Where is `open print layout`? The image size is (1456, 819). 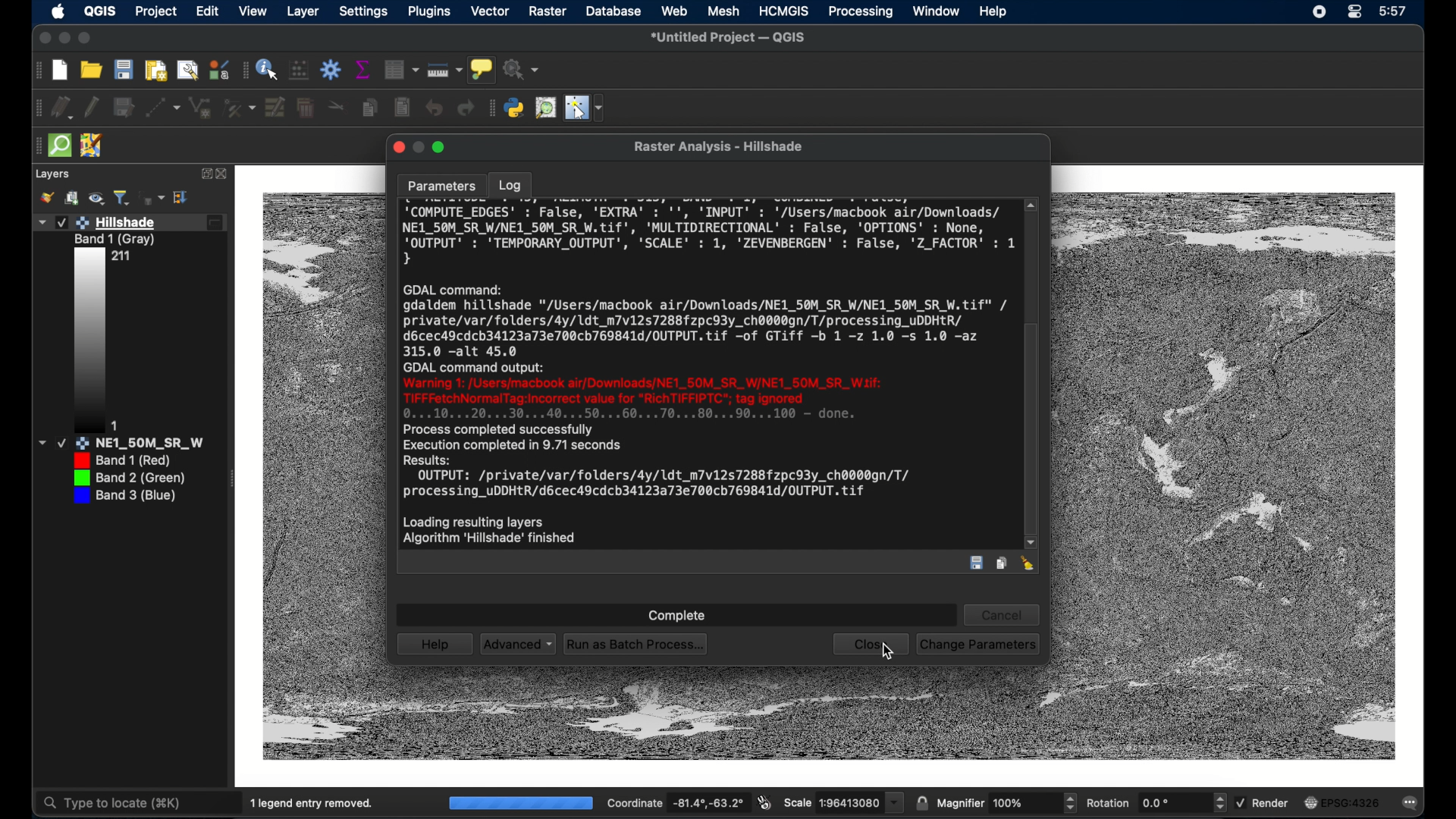 open print layout is located at coordinates (155, 70).